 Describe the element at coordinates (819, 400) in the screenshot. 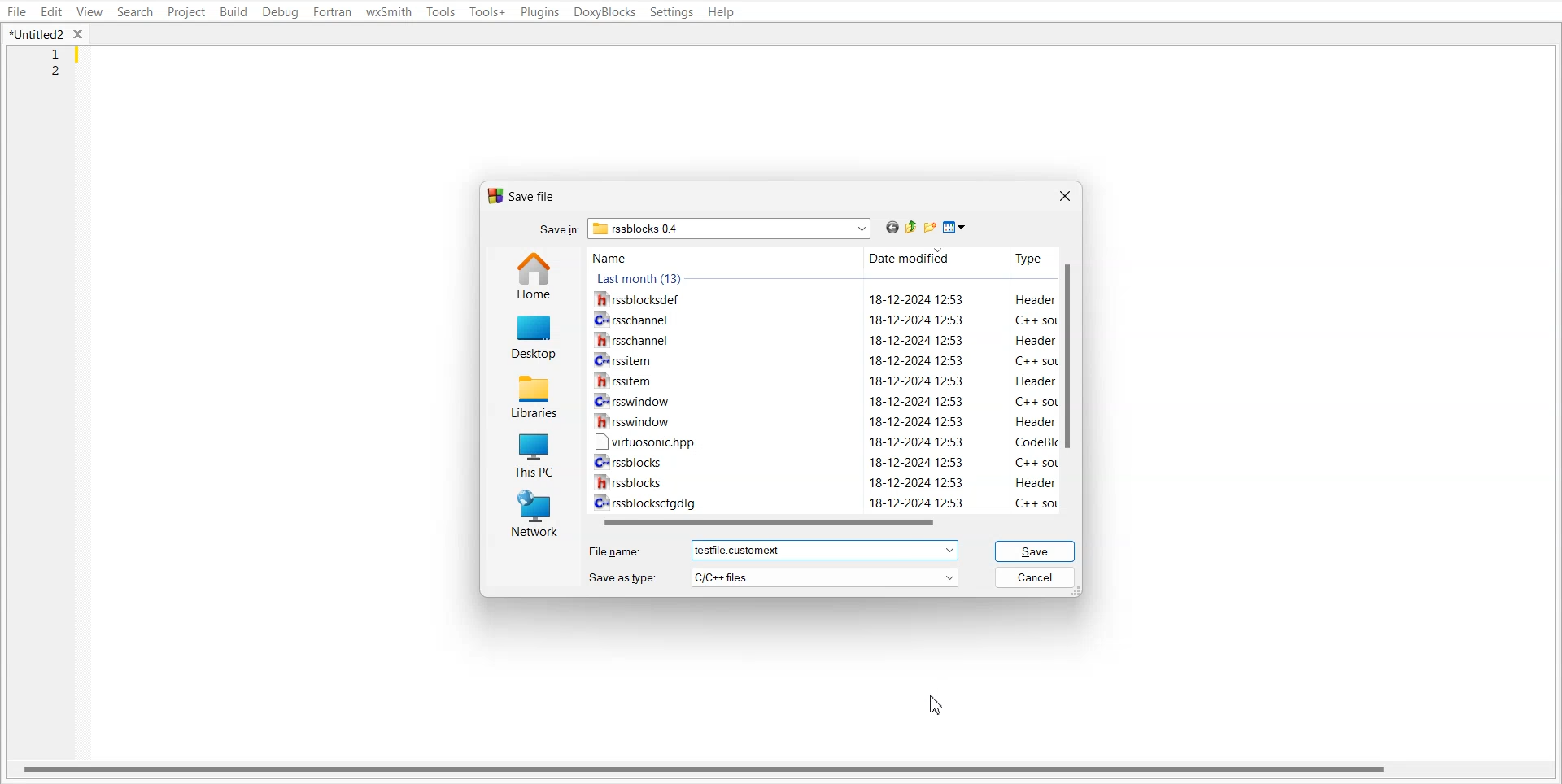

I see `CH rsswindow 18-12-2024 12:53 C++ sol` at that location.